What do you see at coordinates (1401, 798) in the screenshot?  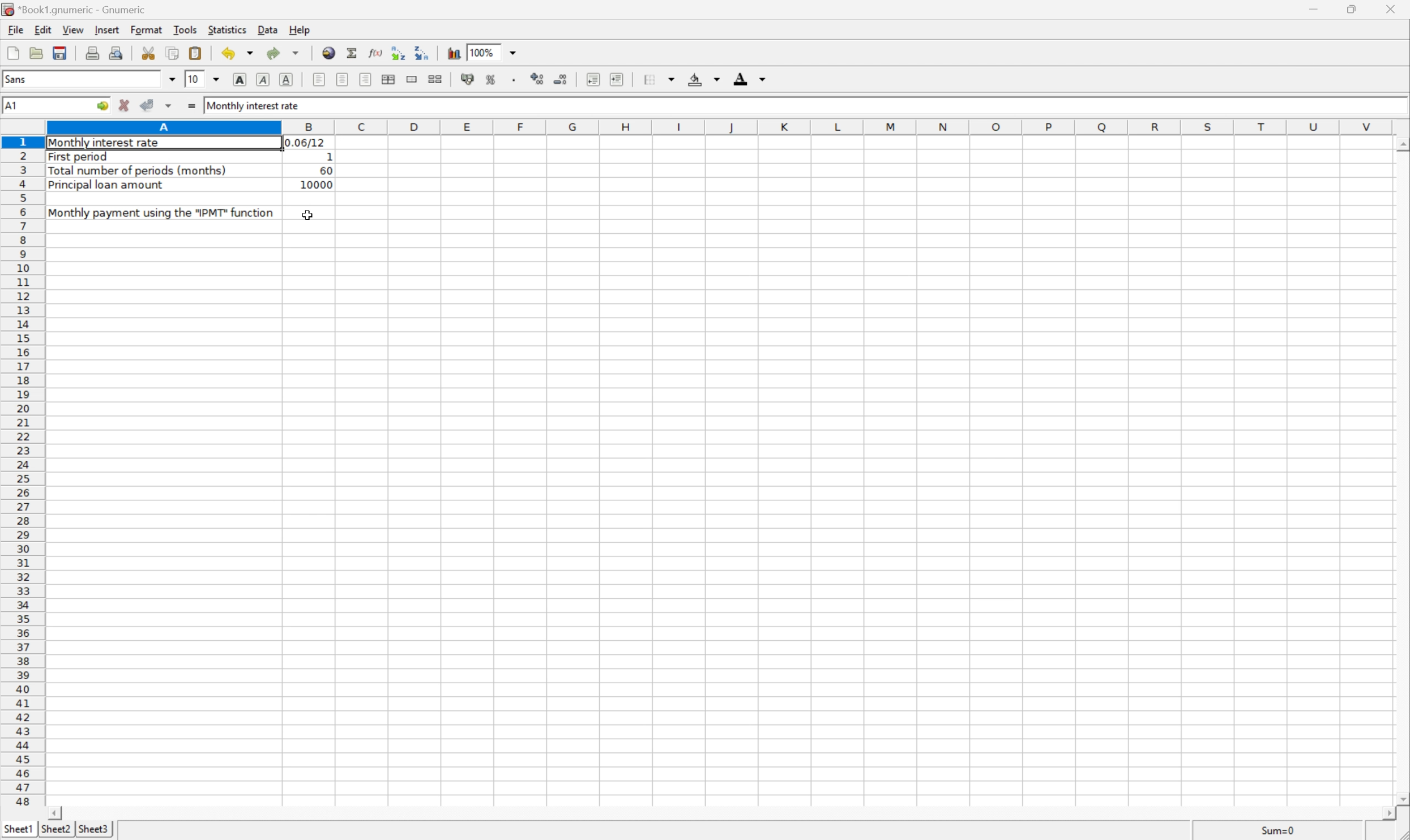 I see `Scroll Down` at bounding box center [1401, 798].